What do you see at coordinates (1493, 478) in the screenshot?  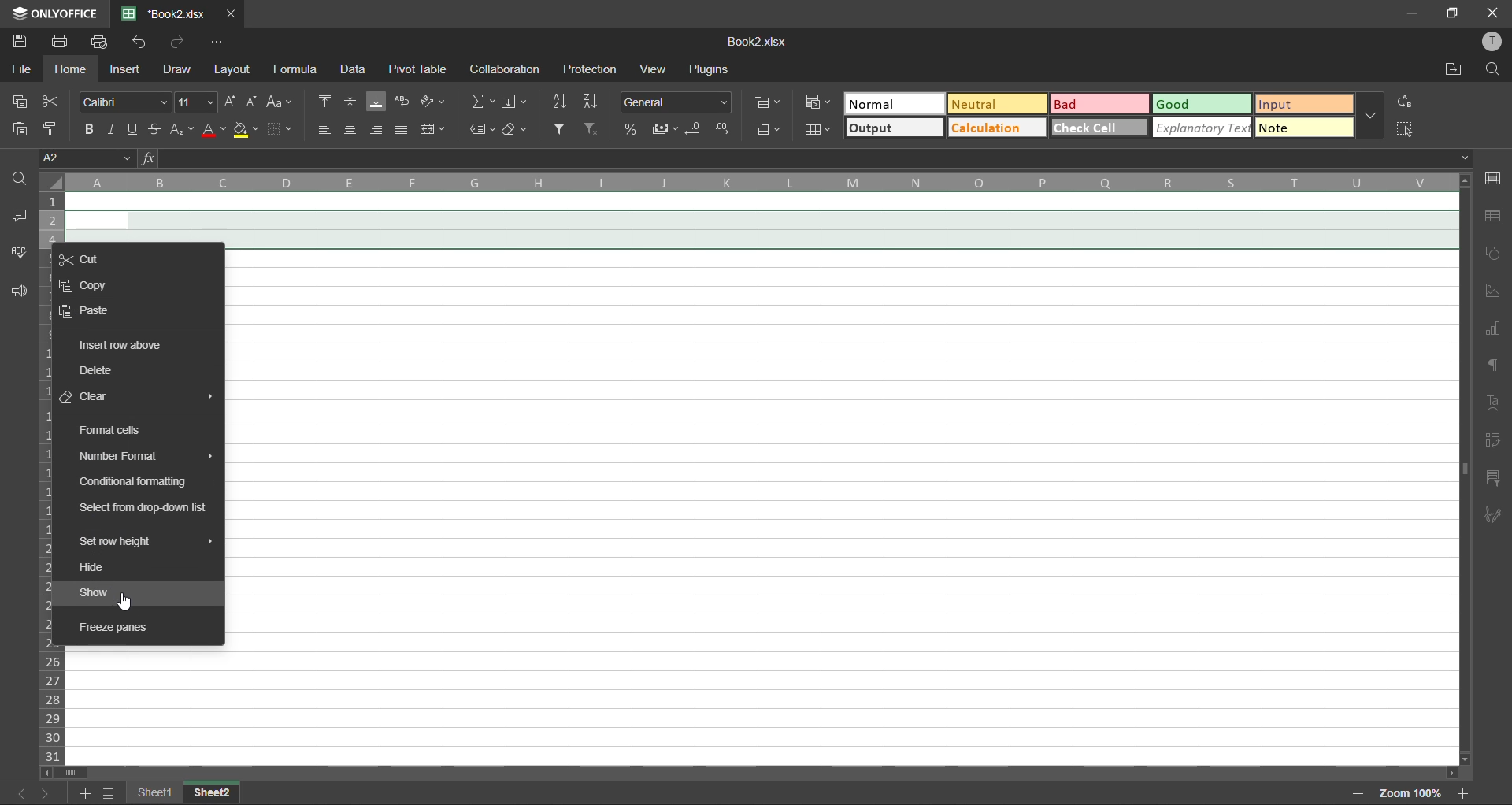 I see `slicer` at bounding box center [1493, 478].